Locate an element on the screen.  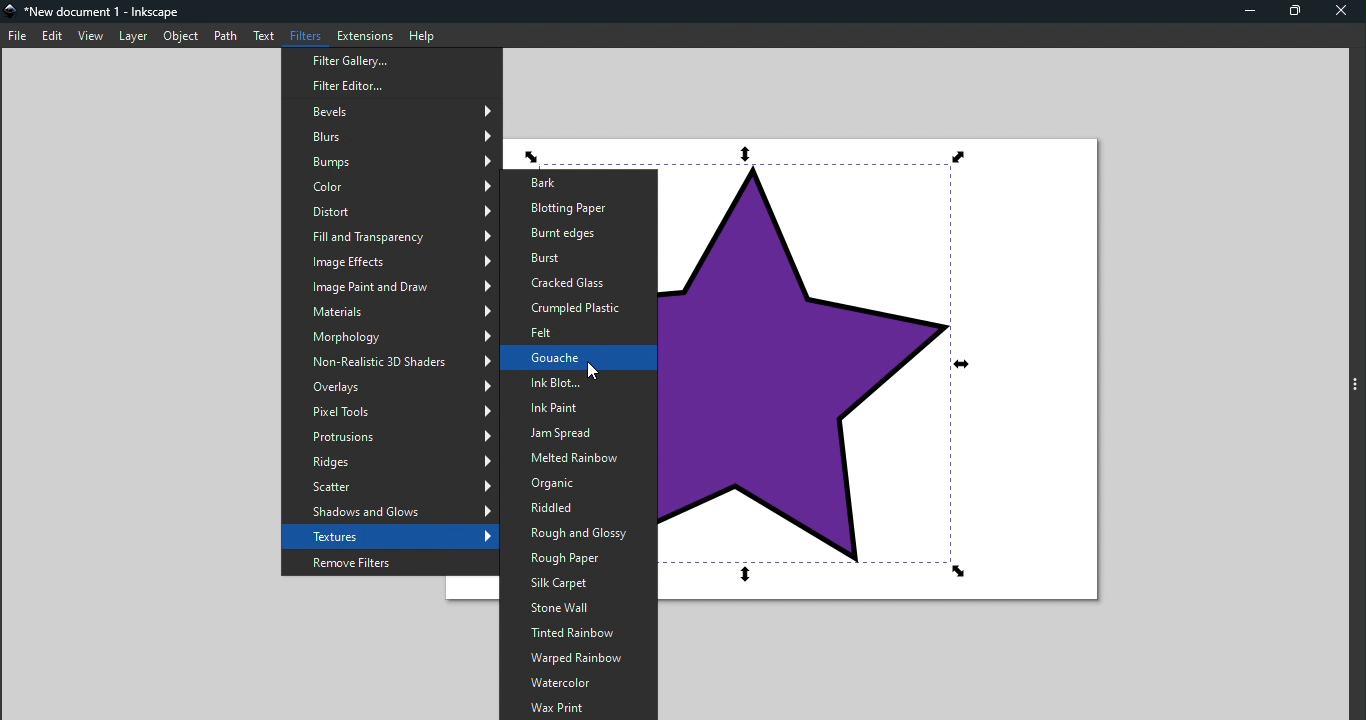
Image effects is located at coordinates (388, 261).